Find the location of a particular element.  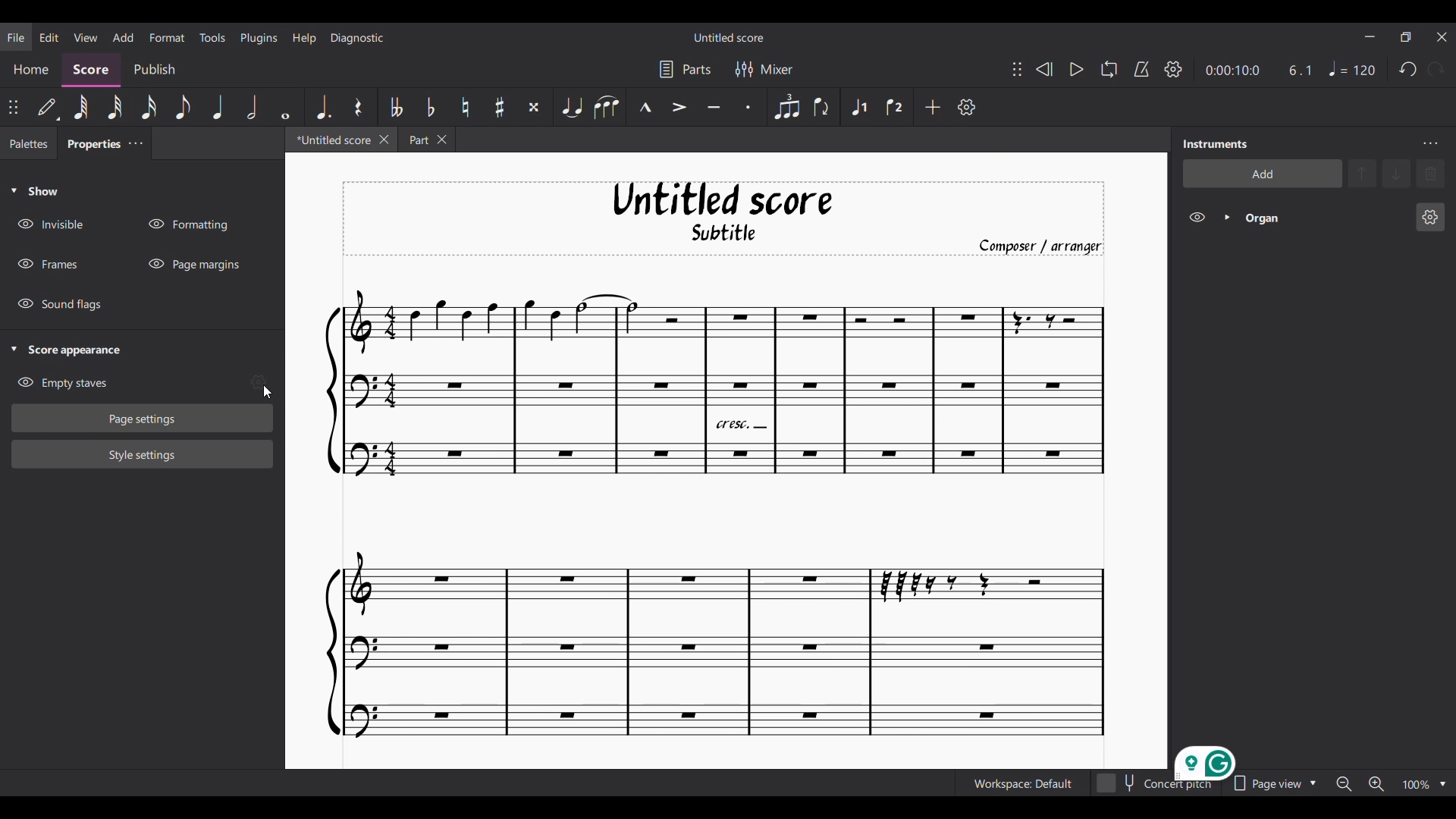

Palettes is located at coordinates (29, 145).